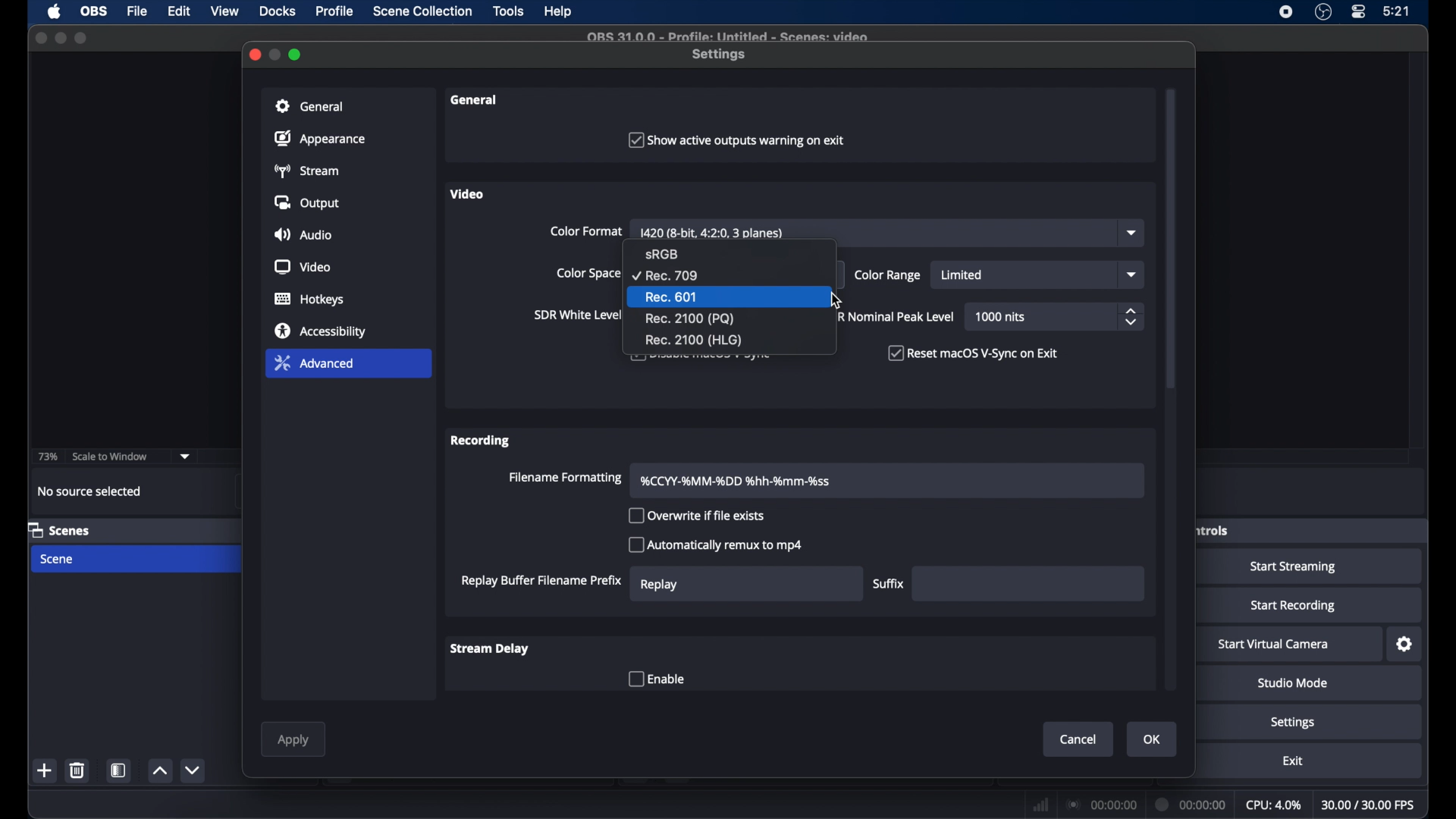 This screenshot has height=819, width=1456. What do you see at coordinates (1153, 739) in the screenshot?
I see `ok` at bounding box center [1153, 739].